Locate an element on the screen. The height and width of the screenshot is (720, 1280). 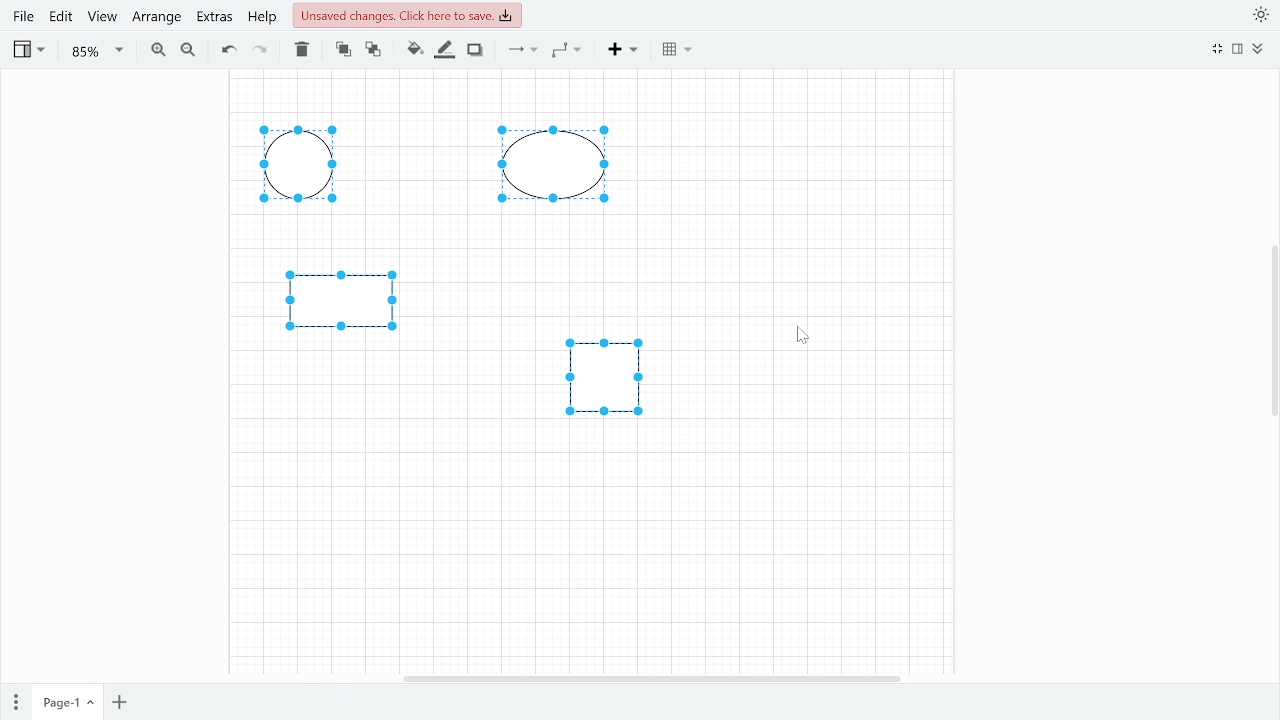
Current page(page 1) is located at coordinates (66, 698).